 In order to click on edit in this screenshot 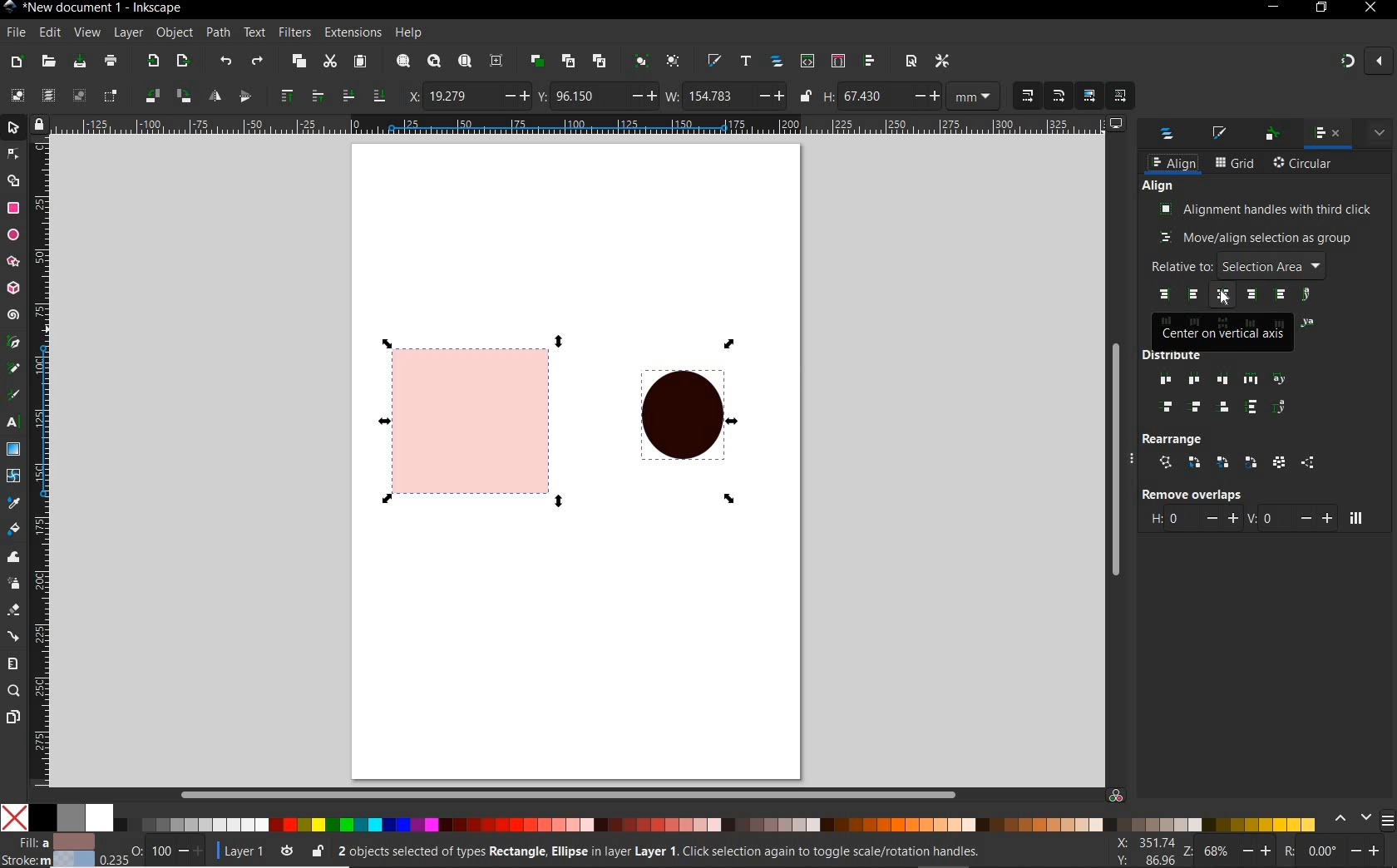, I will do `click(50, 33)`.